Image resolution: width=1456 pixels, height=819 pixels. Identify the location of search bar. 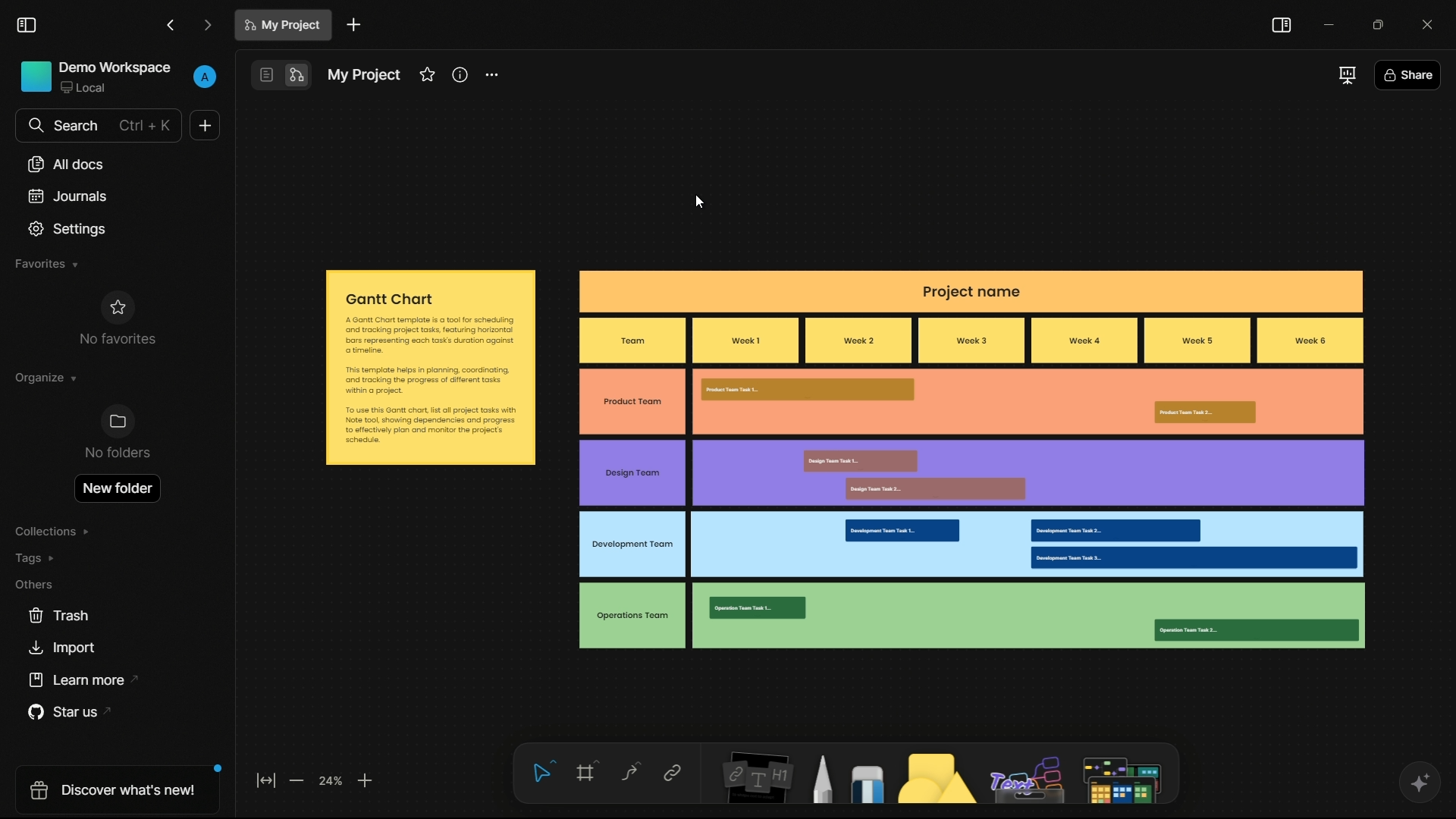
(99, 126).